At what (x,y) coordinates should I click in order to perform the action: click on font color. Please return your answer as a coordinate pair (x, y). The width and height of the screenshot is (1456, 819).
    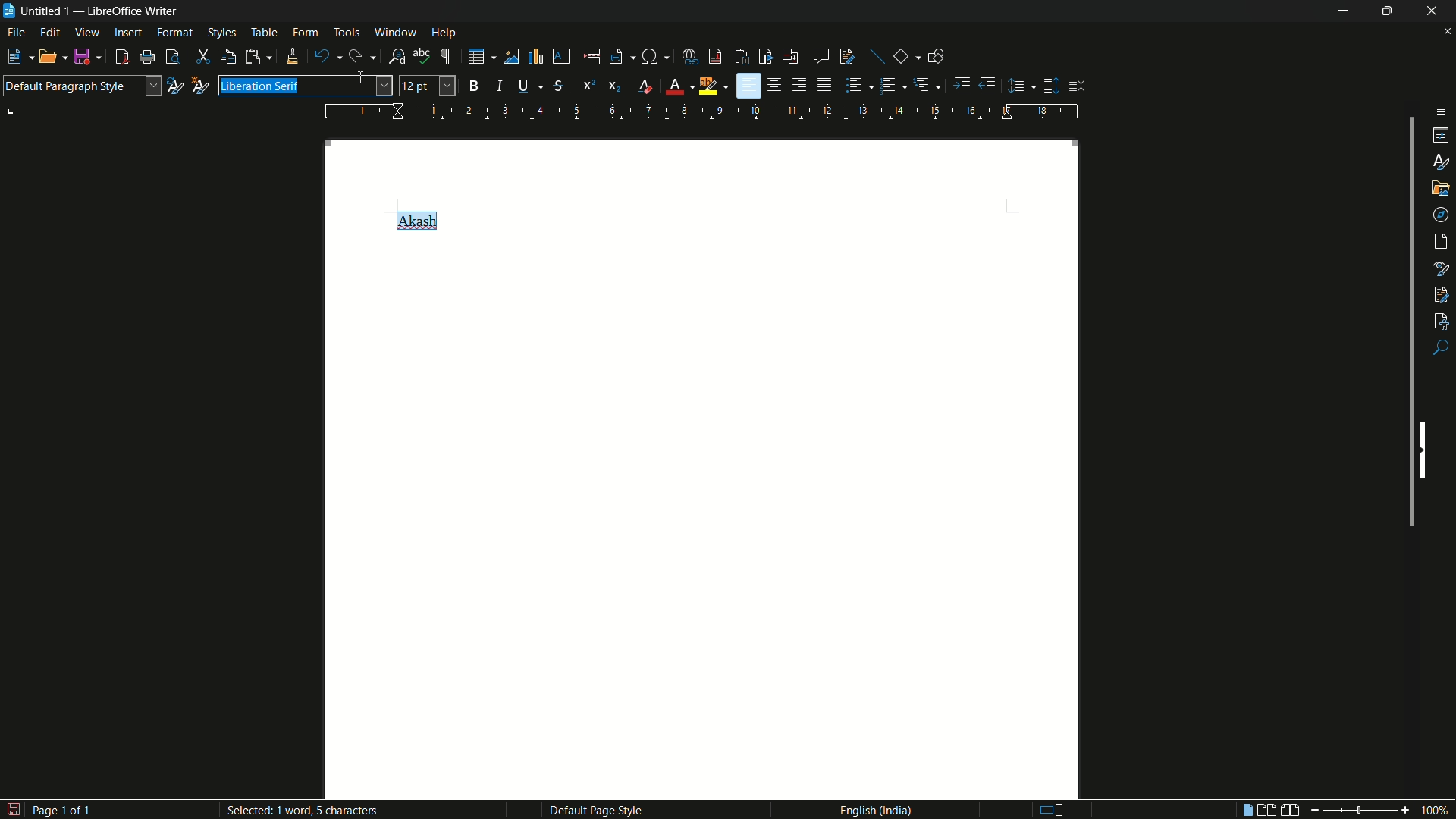
    Looking at the image, I should click on (674, 87).